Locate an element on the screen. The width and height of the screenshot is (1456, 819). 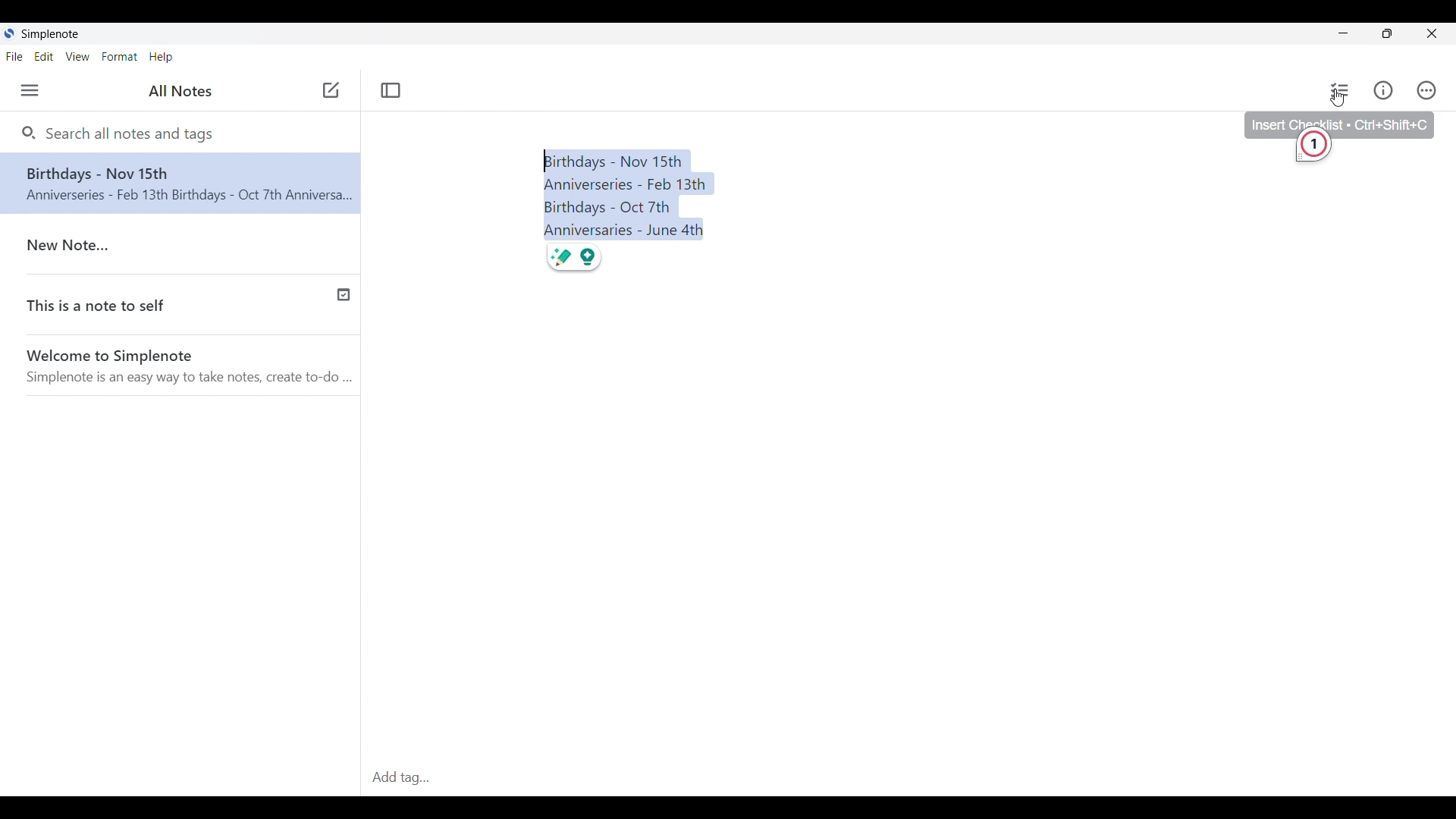
Click to add note is located at coordinates (331, 89).